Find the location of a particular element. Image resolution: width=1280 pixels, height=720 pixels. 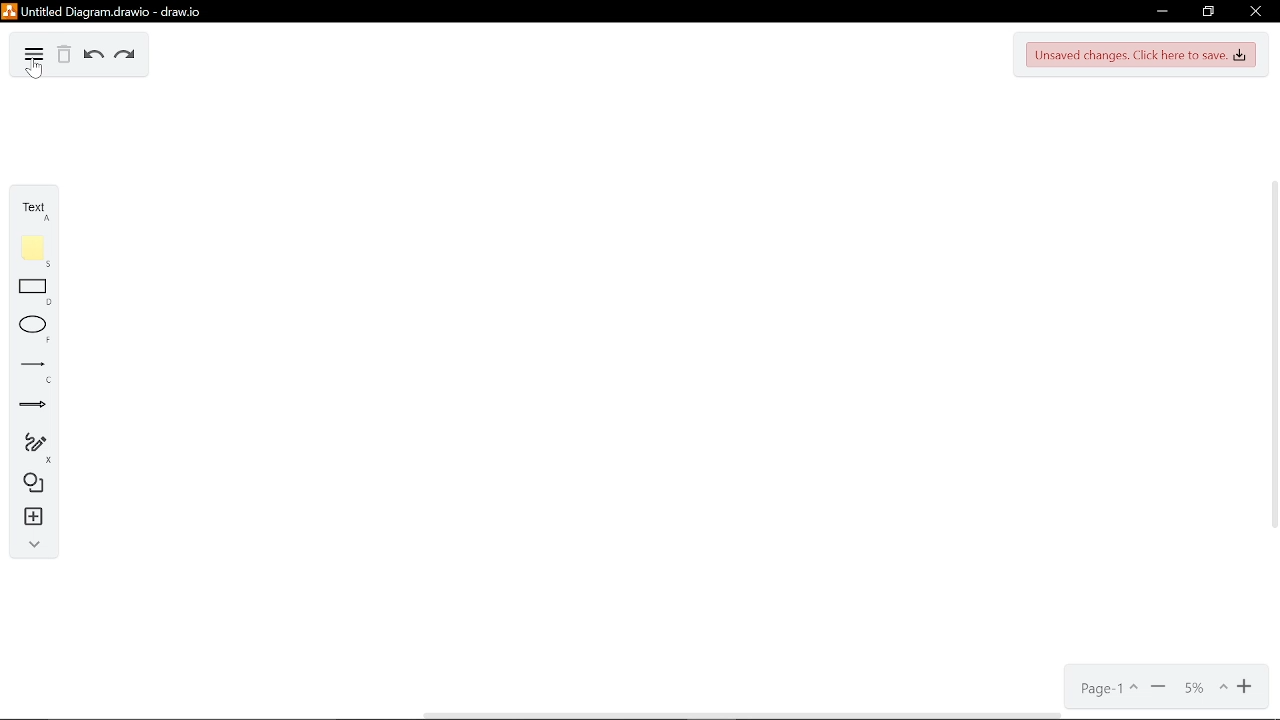

Note is located at coordinates (27, 252).